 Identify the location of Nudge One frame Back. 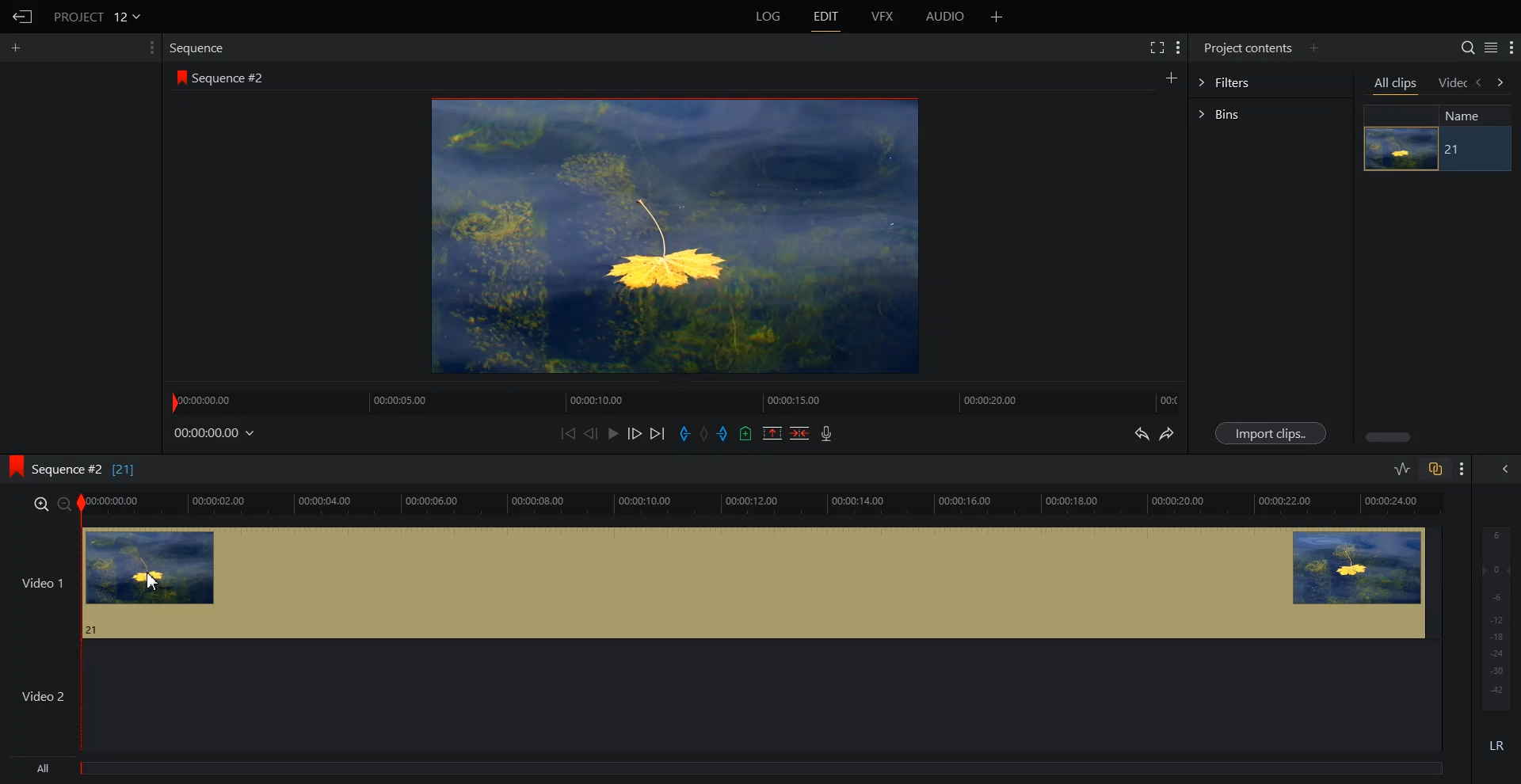
(591, 433).